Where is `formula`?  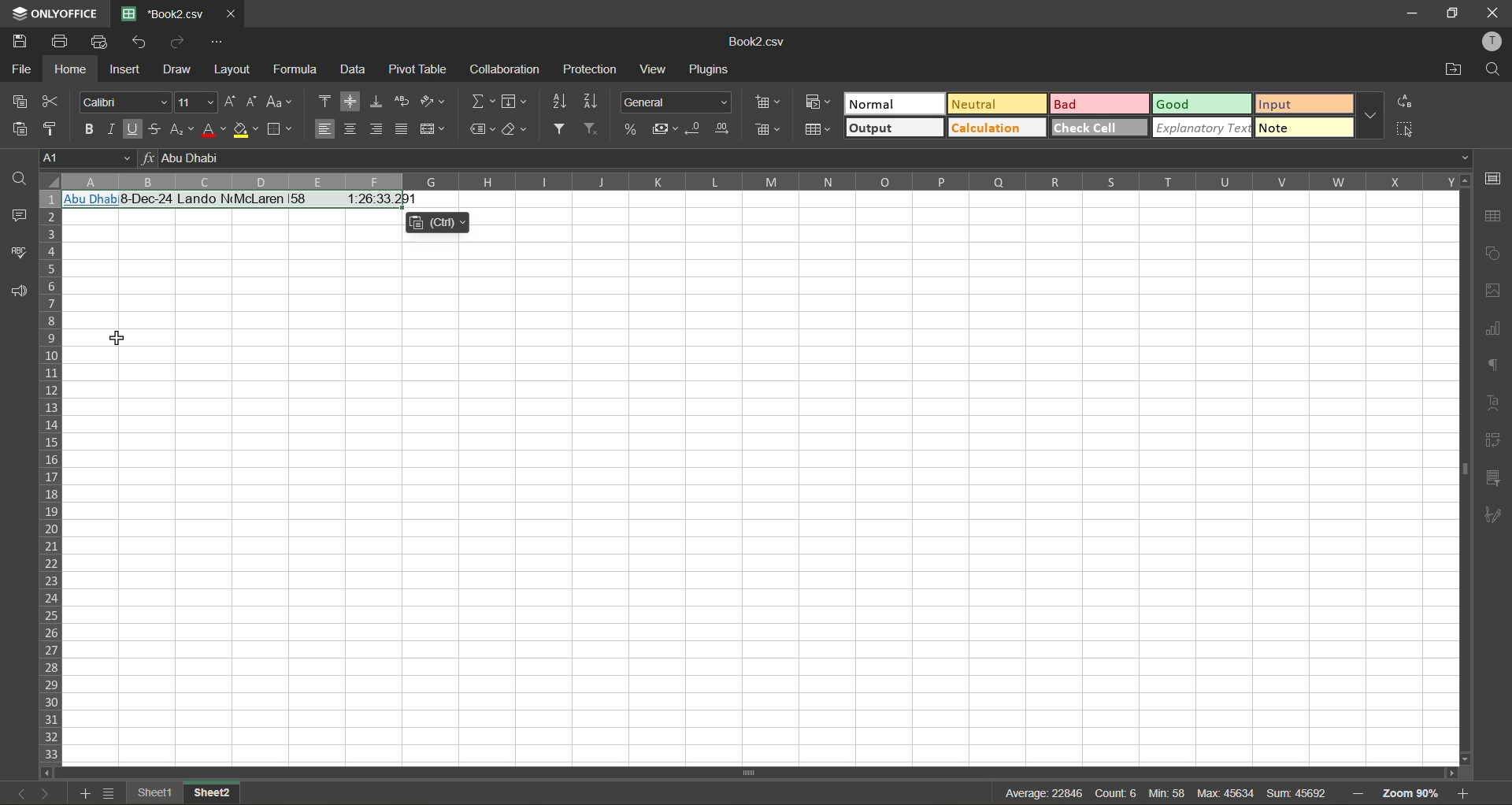
formula is located at coordinates (302, 70).